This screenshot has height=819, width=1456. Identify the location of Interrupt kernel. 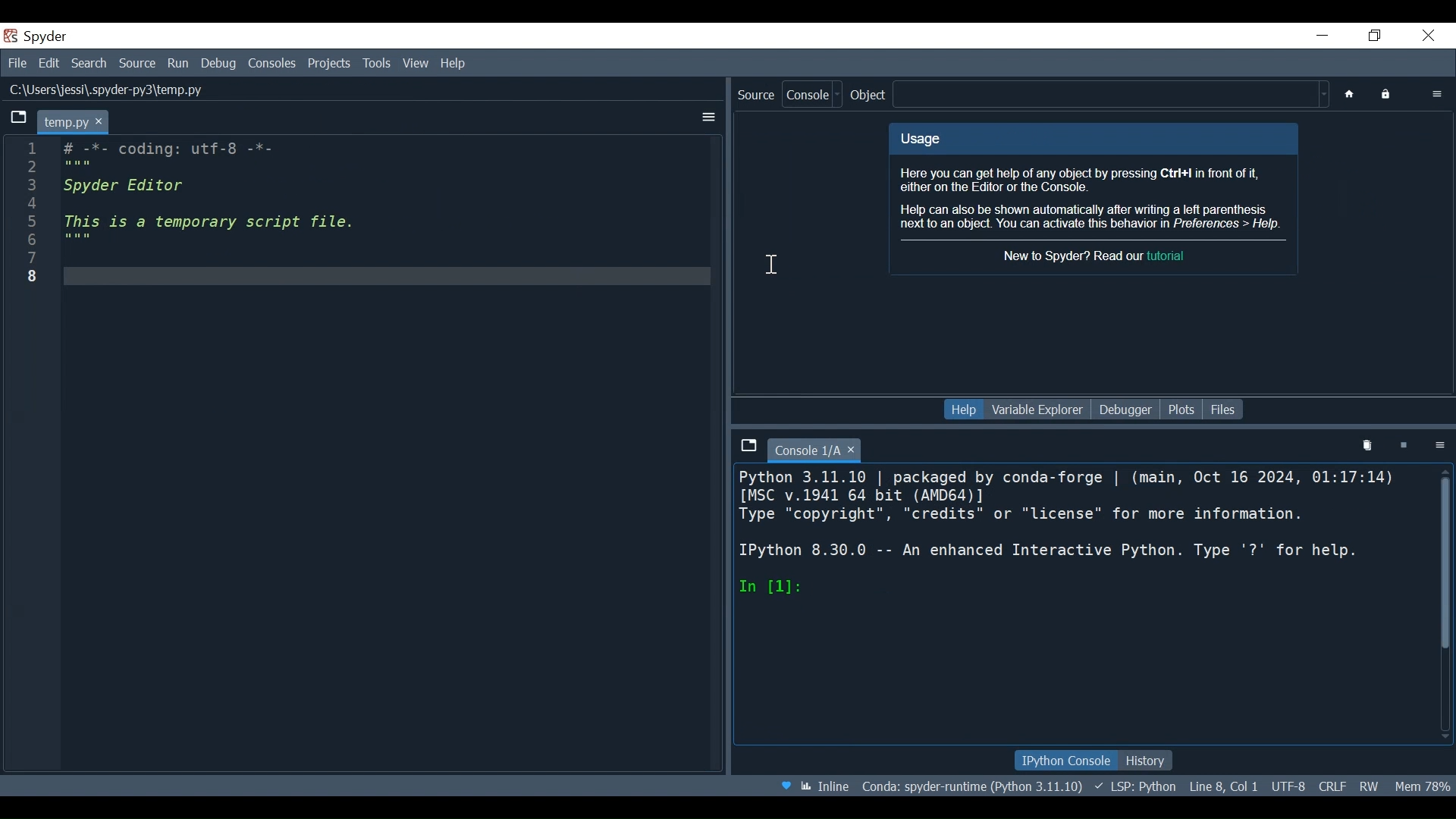
(1404, 445).